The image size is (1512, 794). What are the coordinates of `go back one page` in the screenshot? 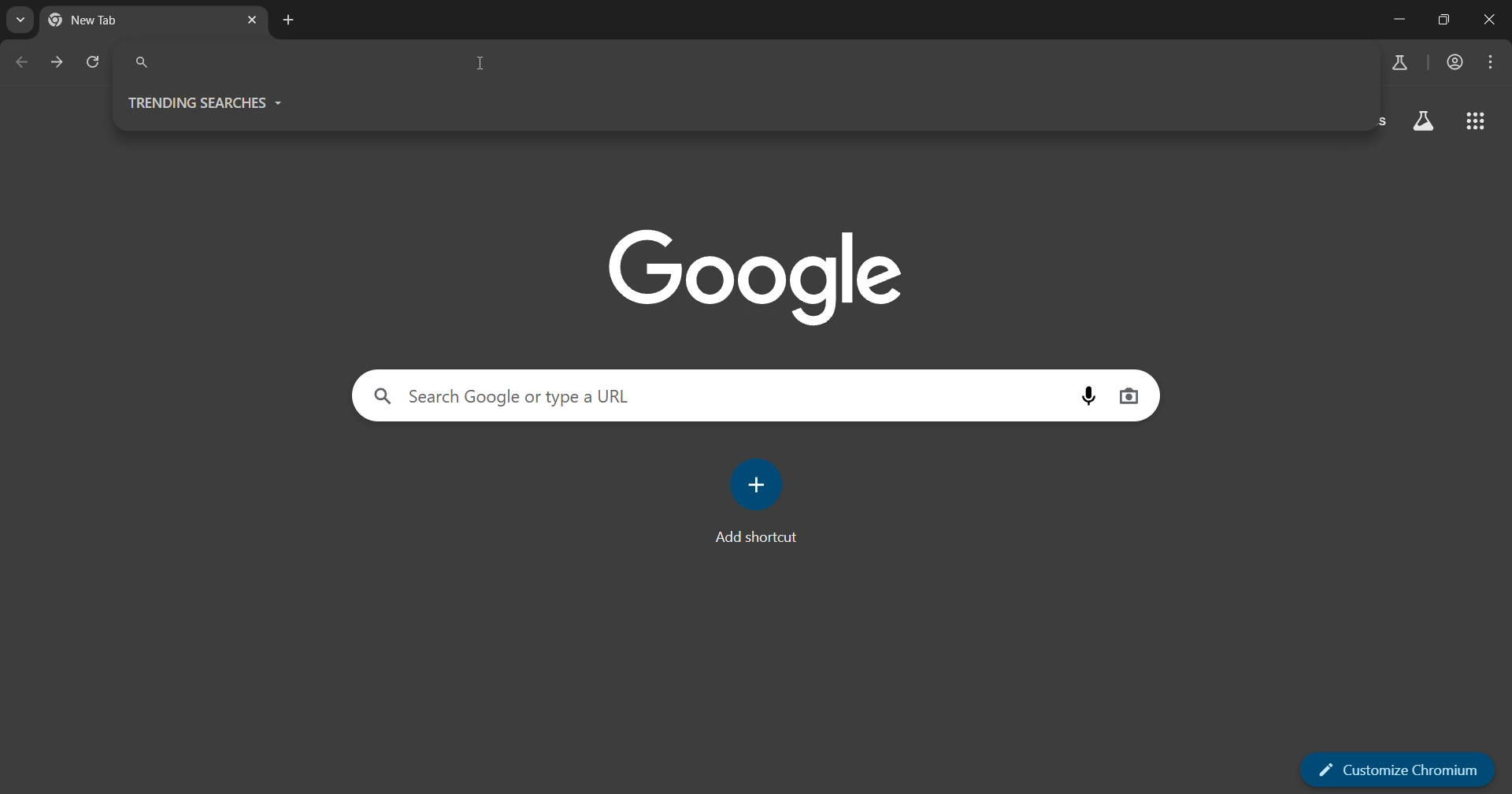 It's located at (18, 61).